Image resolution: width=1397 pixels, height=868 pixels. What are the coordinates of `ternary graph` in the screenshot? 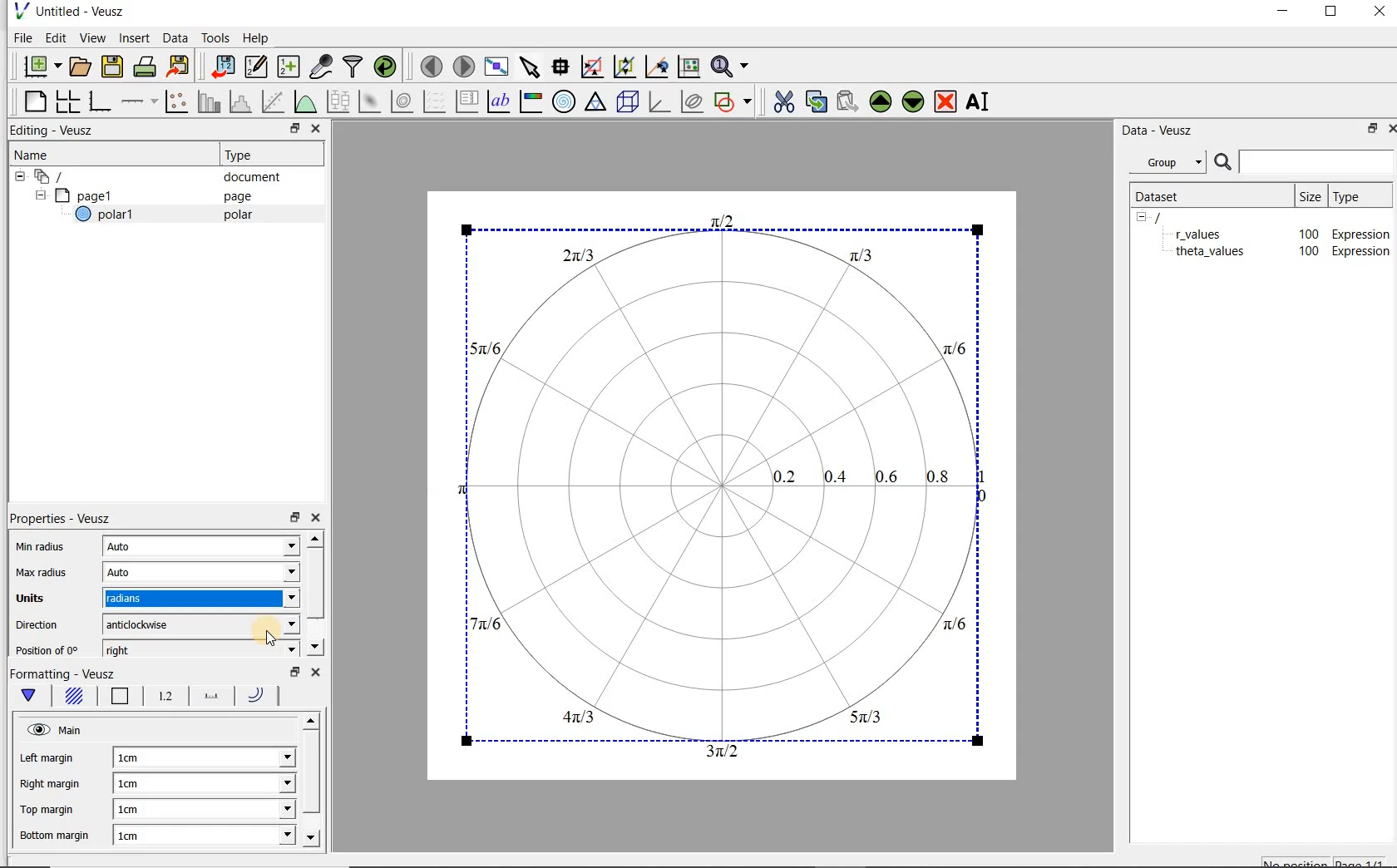 It's located at (597, 102).